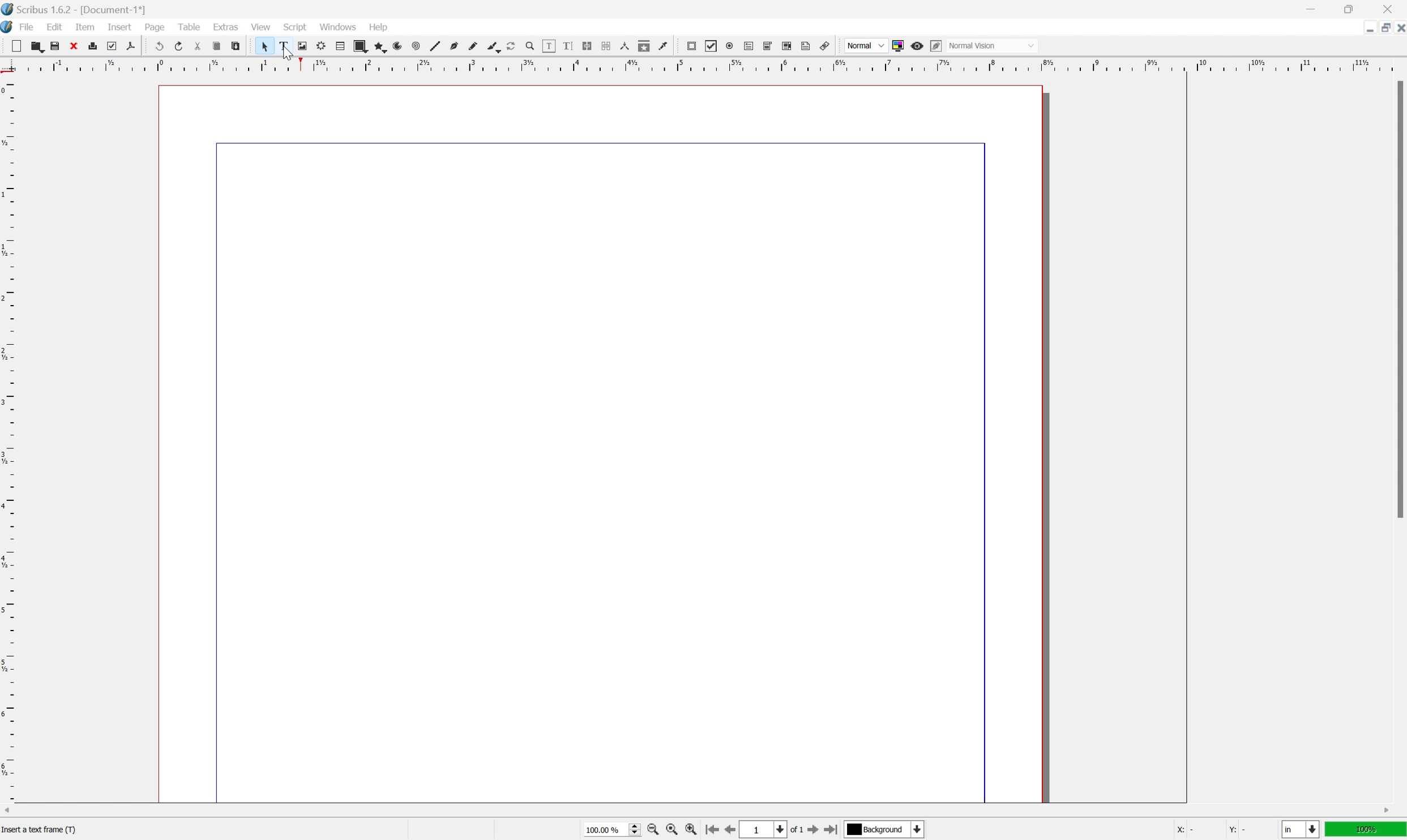 The width and height of the screenshot is (1407, 840). Describe the element at coordinates (41, 832) in the screenshot. I see `text frame size` at that location.